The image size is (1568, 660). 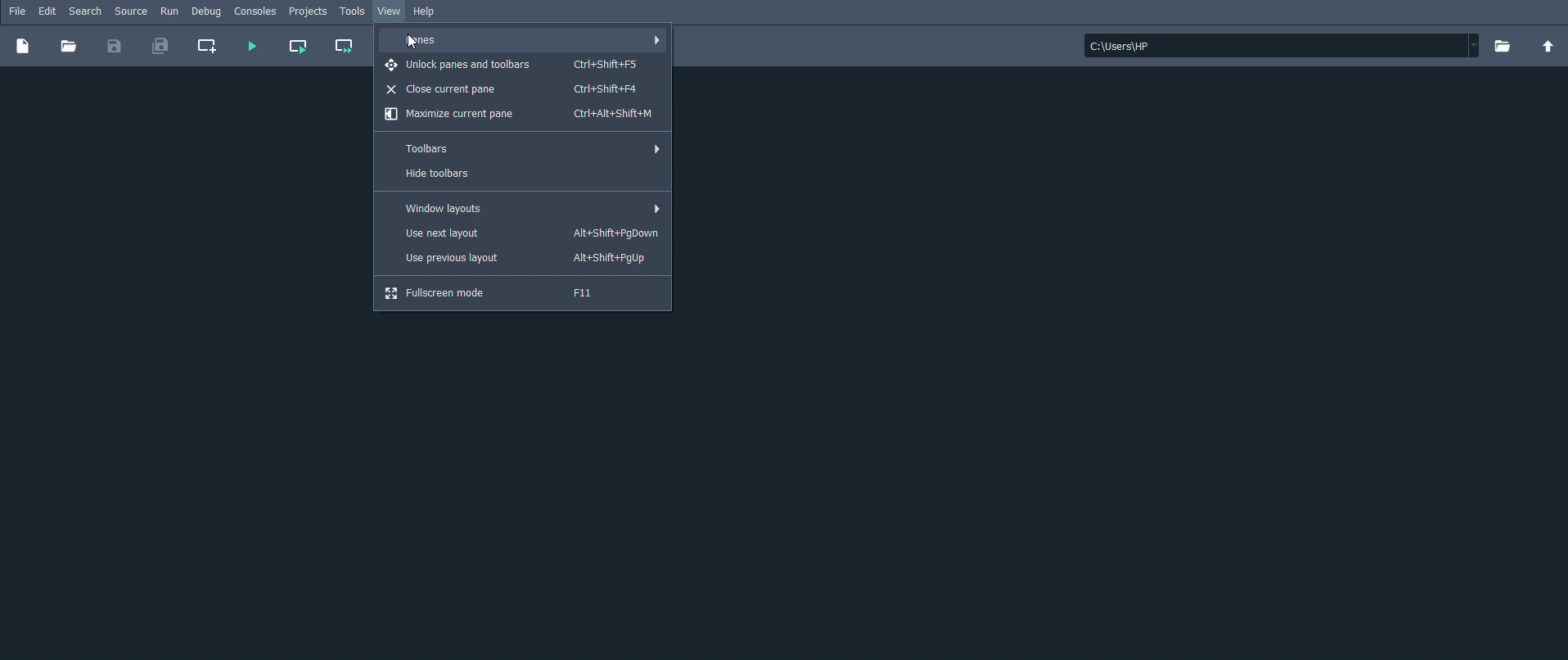 I want to click on Close current pane, so click(x=524, y=88).